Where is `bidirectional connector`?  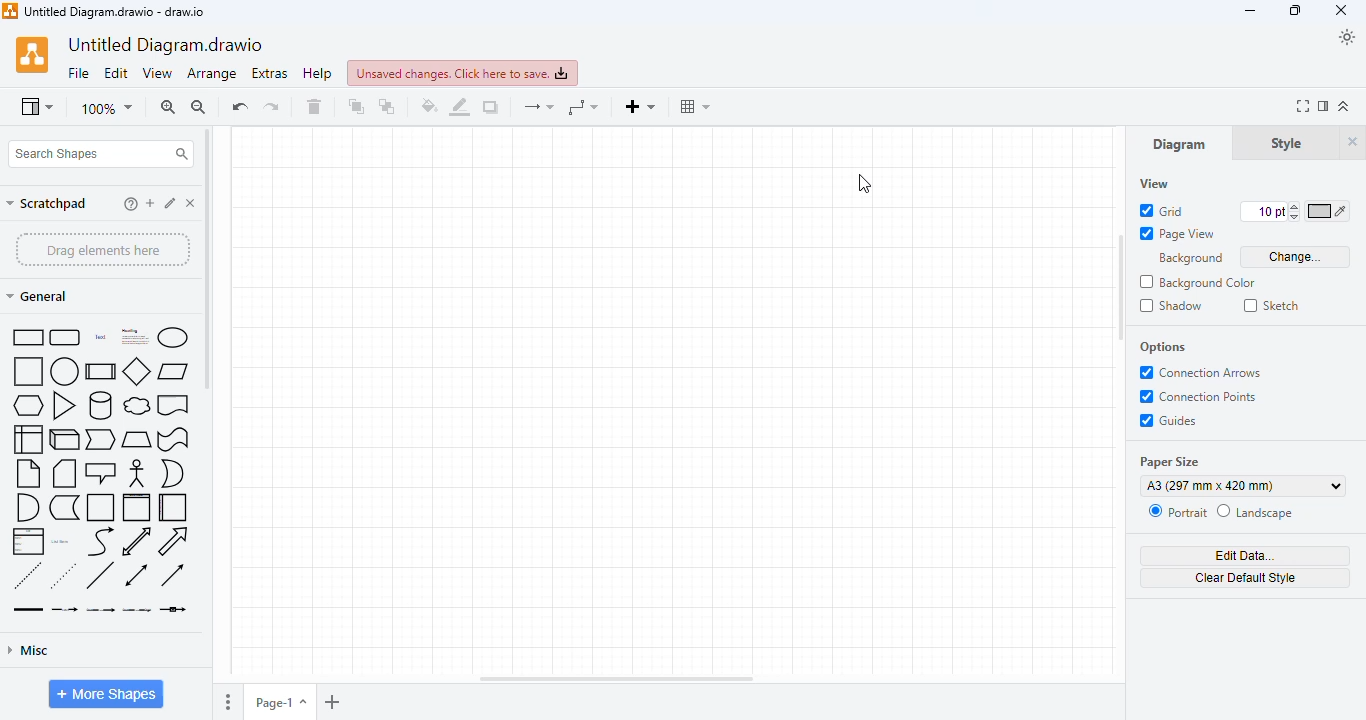 bidirectional connector is located at coordinates (136, 575).